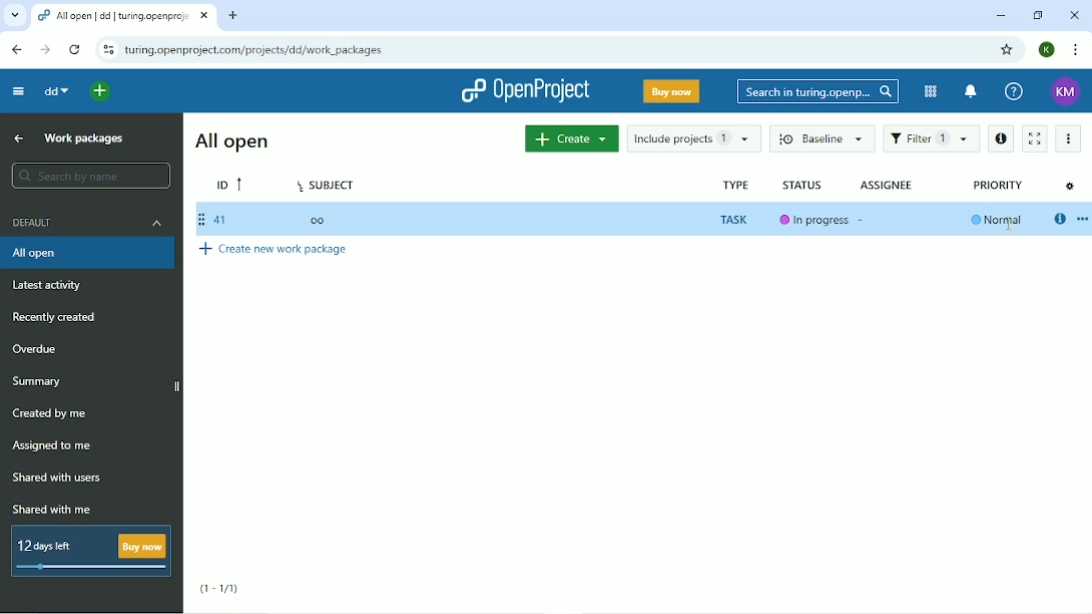  Describe the element at coordinates (1046, 50) in the screenshot. I see `K` at that location.